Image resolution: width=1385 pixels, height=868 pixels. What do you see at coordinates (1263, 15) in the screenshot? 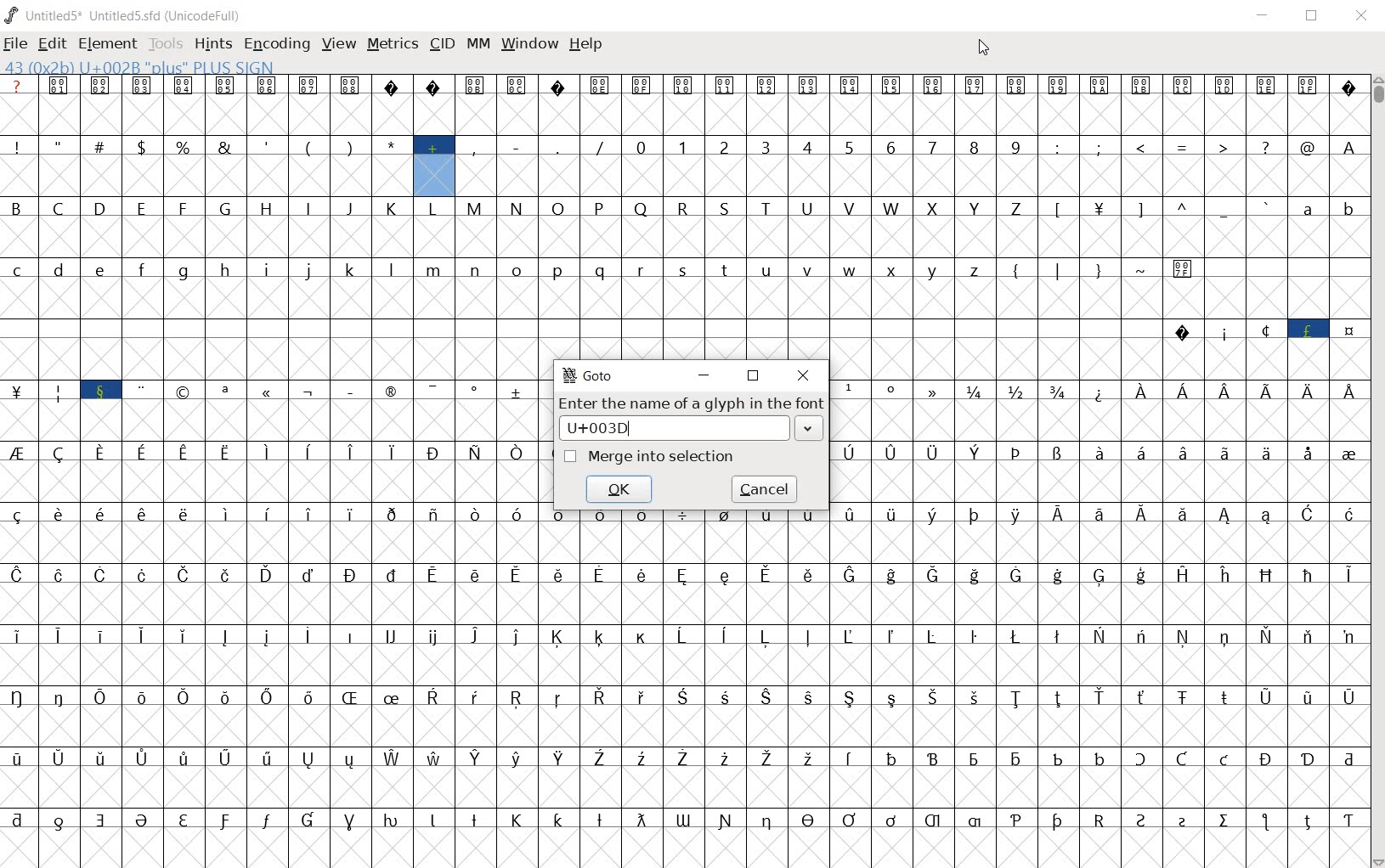
I see `minimize` at bounding box center [1263, 15].